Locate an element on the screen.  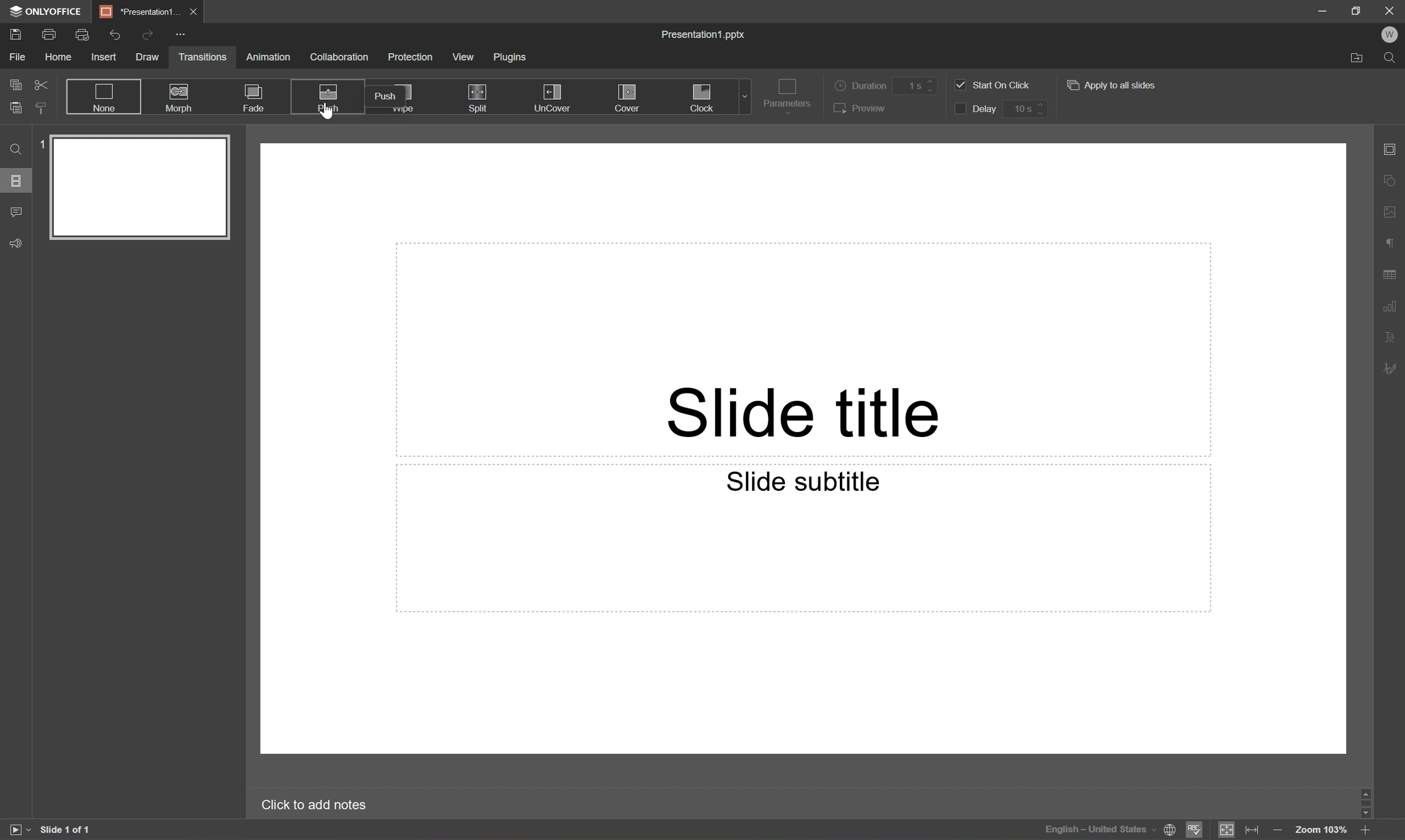
ONLYOFFICE is located at coordinates (50, 11).